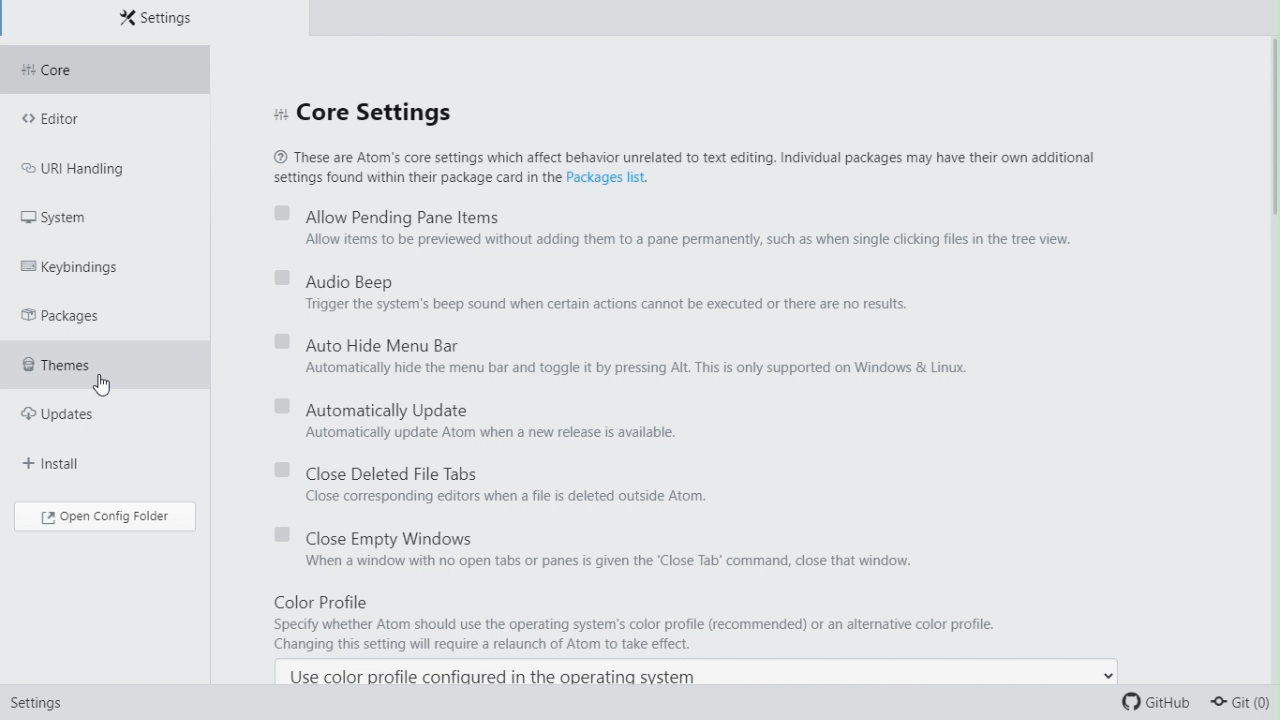 The height and width of the screenshot is (720, 1280). What do you see at coordinates (631, 343) in the screenshot?
I see `Automatically hide menu bar` at bounding box center [631, 343].